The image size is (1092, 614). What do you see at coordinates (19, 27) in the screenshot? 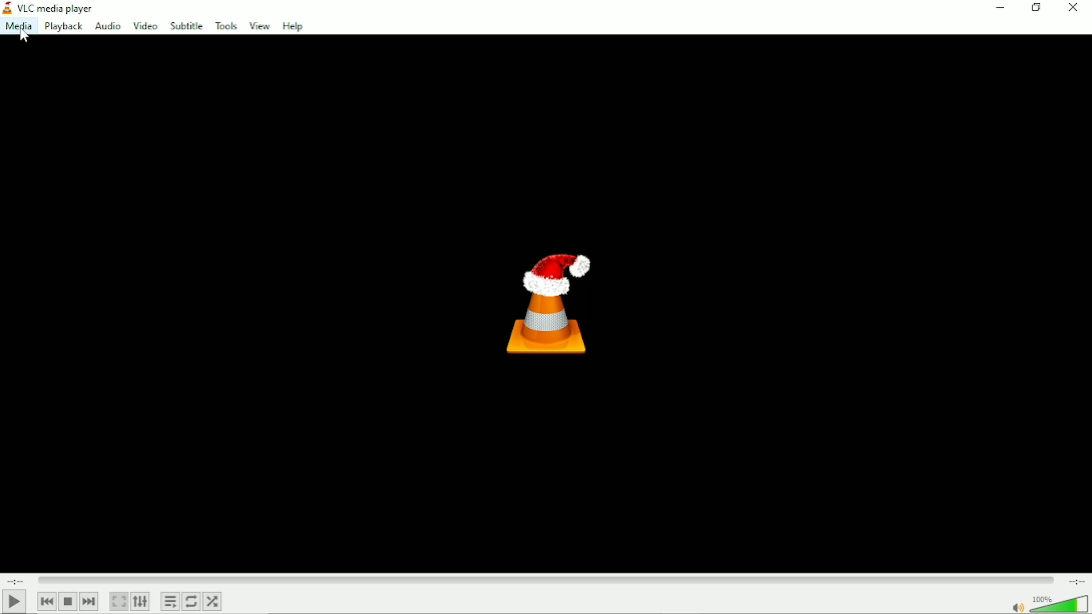
I see `Media` at bounding box center [19, 27].